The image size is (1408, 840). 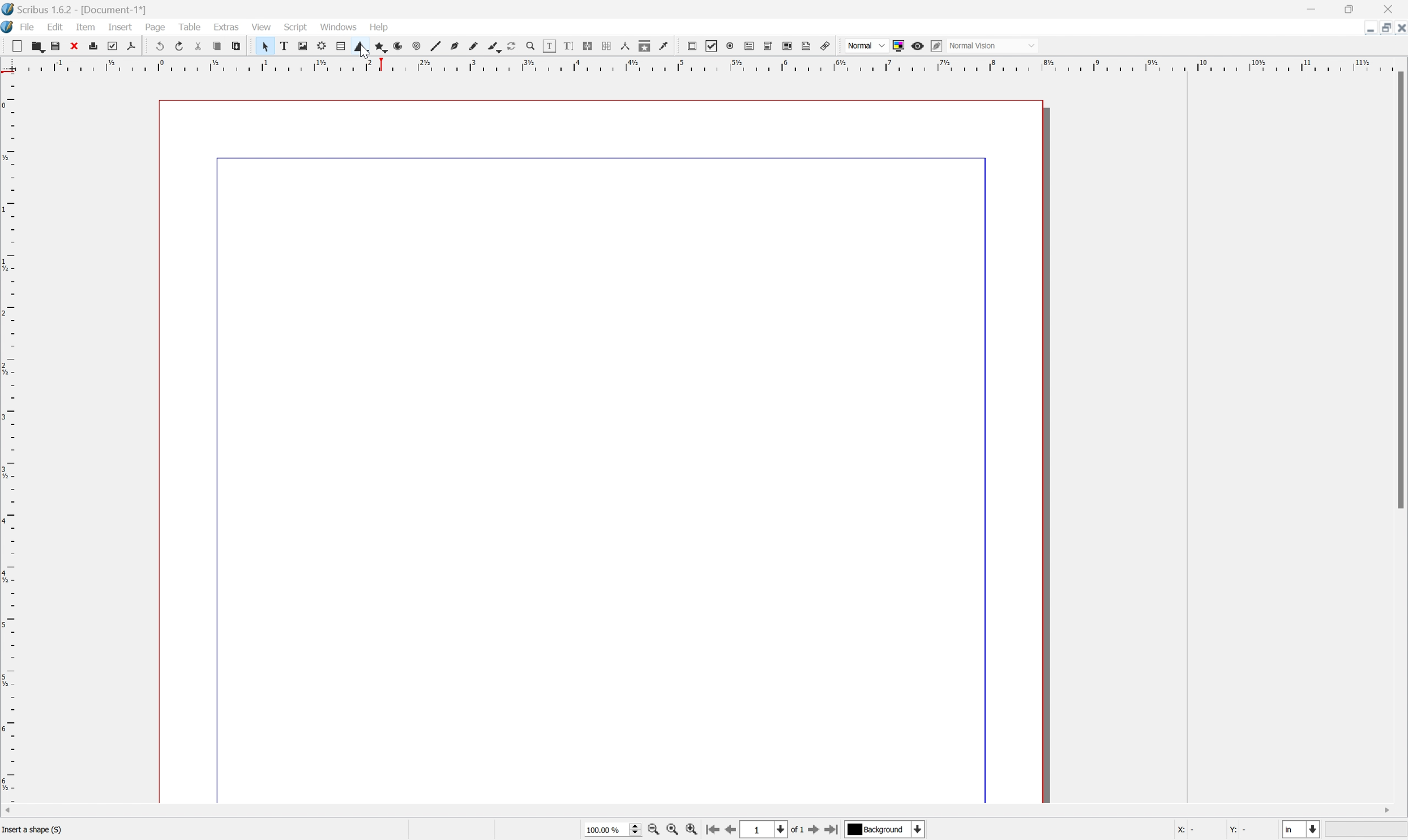 What do you see at coordinates (434, 46) in the screenshot?
I see `Line` at bounding box center [434, 46].